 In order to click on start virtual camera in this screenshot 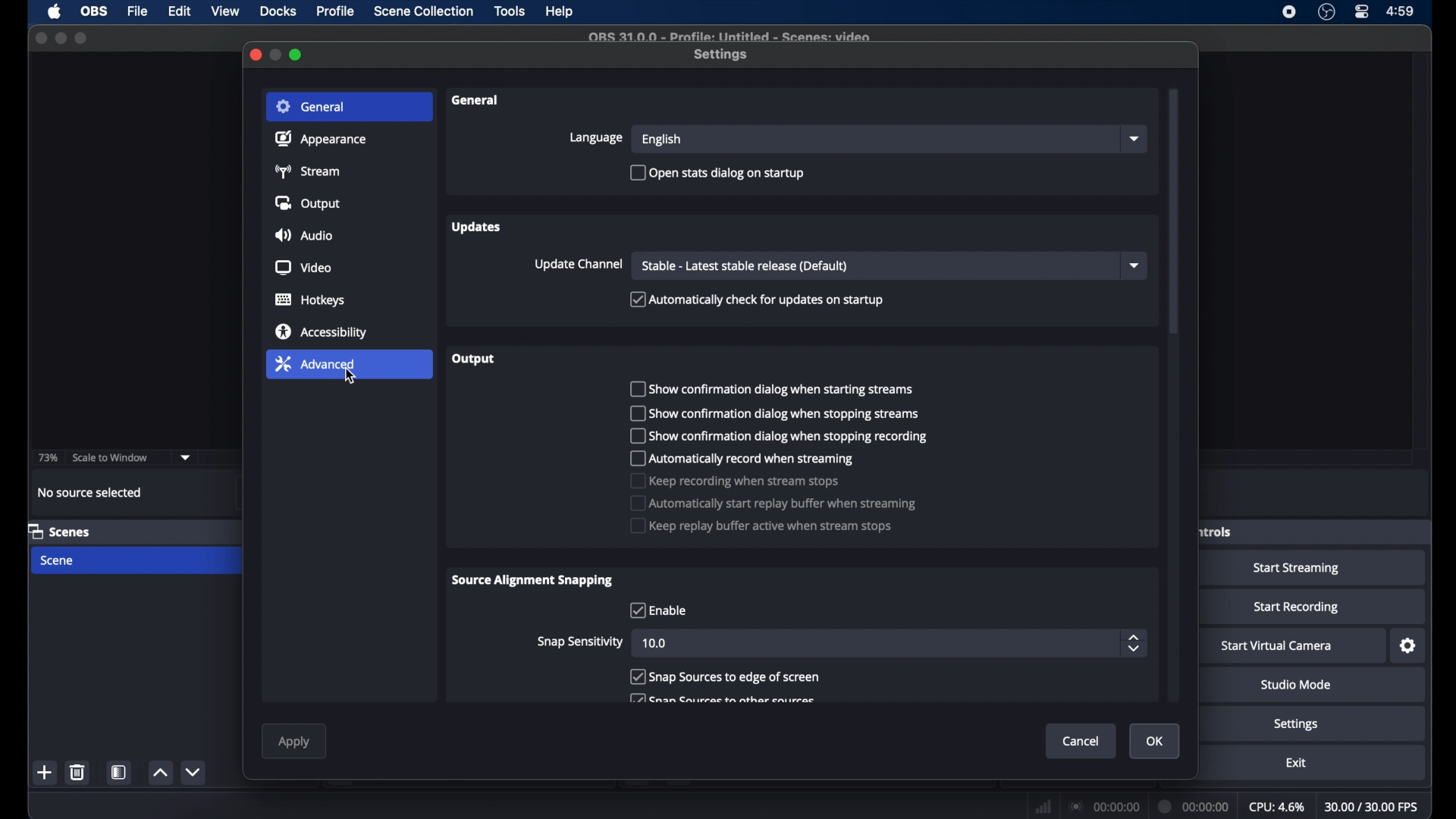, I will do `click(1278, 645)`.